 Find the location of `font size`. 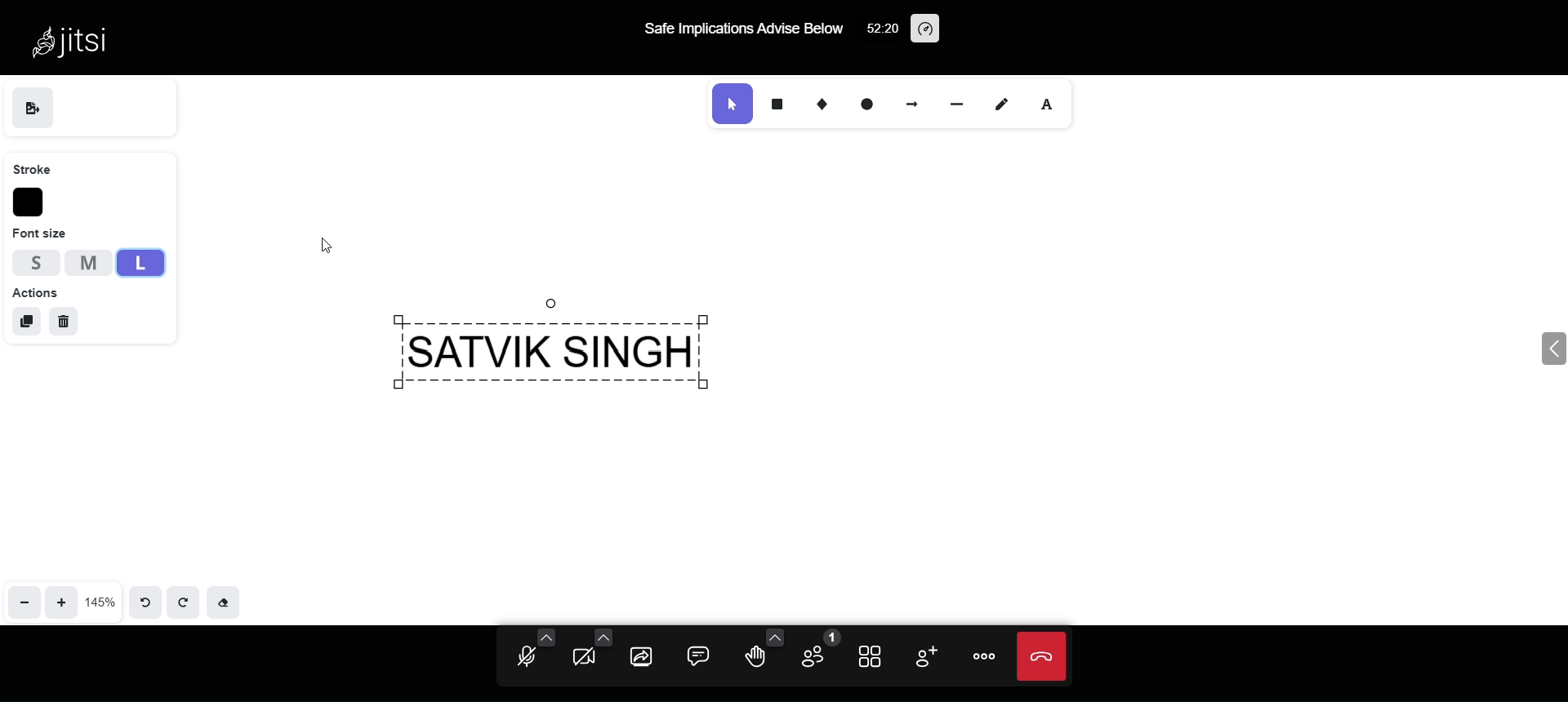

font size is located at coordinates (40, 233).